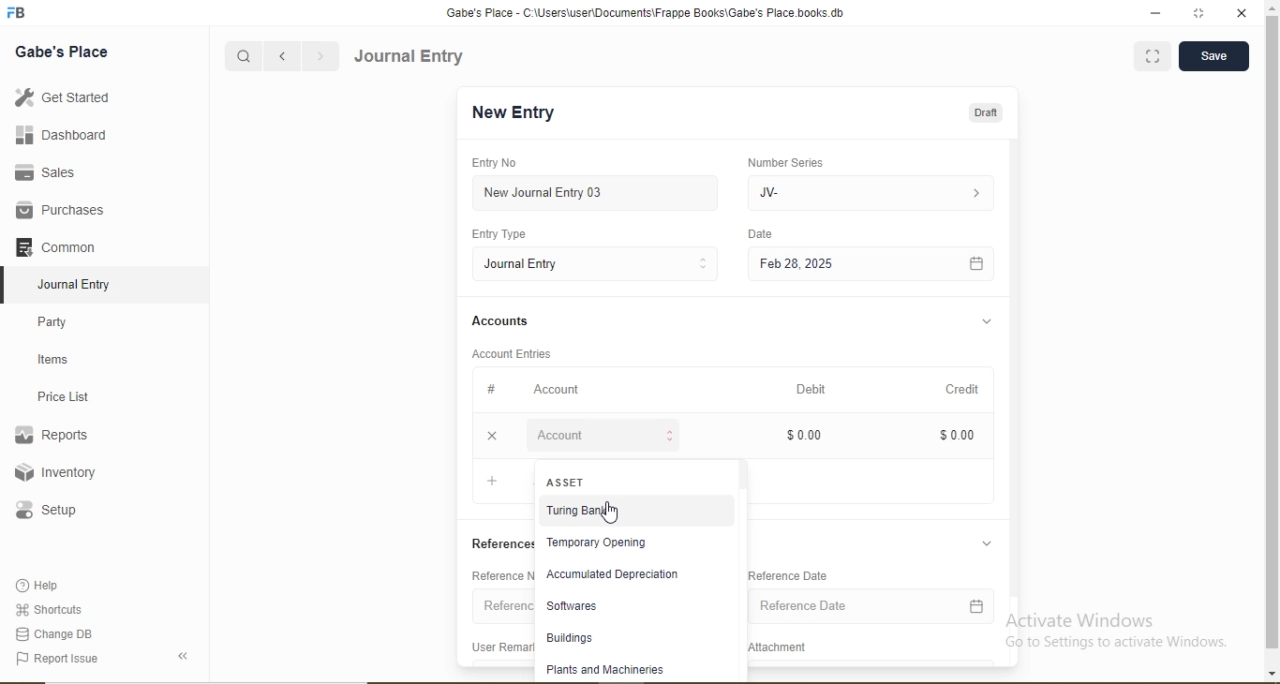 The image size is (1280, 684). I want to click on scroll up, so click(1270, 8).